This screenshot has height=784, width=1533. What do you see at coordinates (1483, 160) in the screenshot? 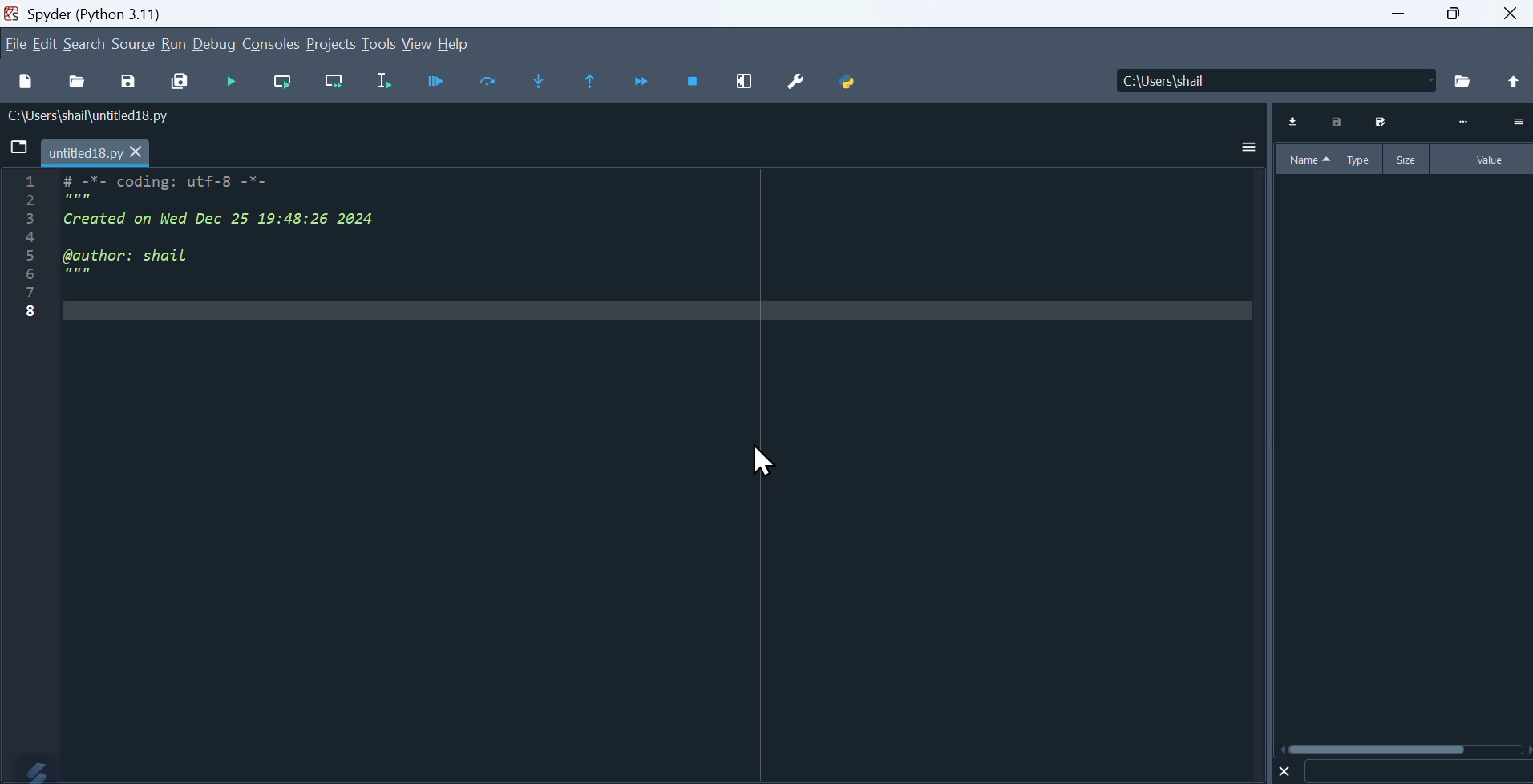
I see `Value` at bounding box center [1483, 160].